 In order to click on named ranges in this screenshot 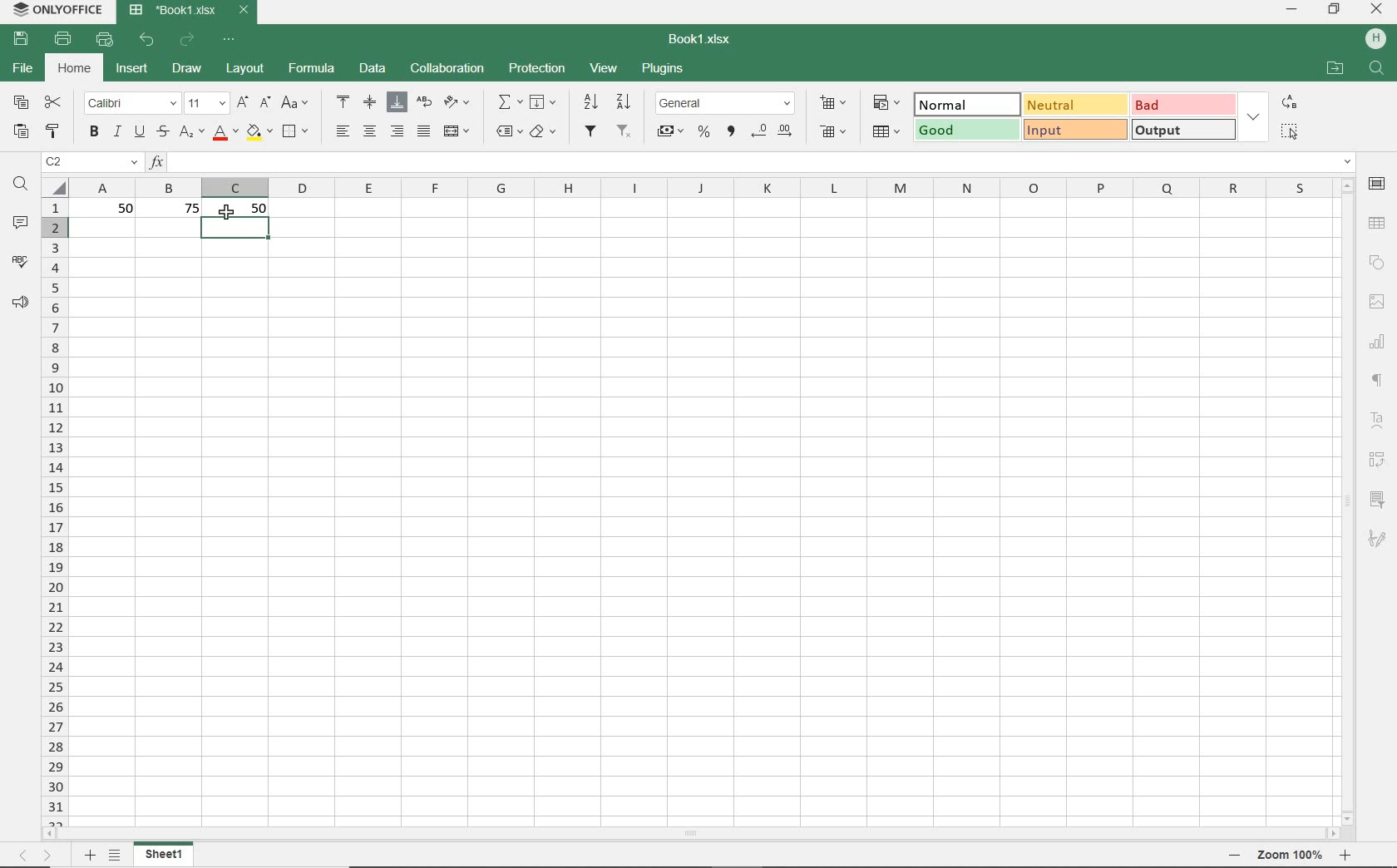, I will do `click(509, 132)`.